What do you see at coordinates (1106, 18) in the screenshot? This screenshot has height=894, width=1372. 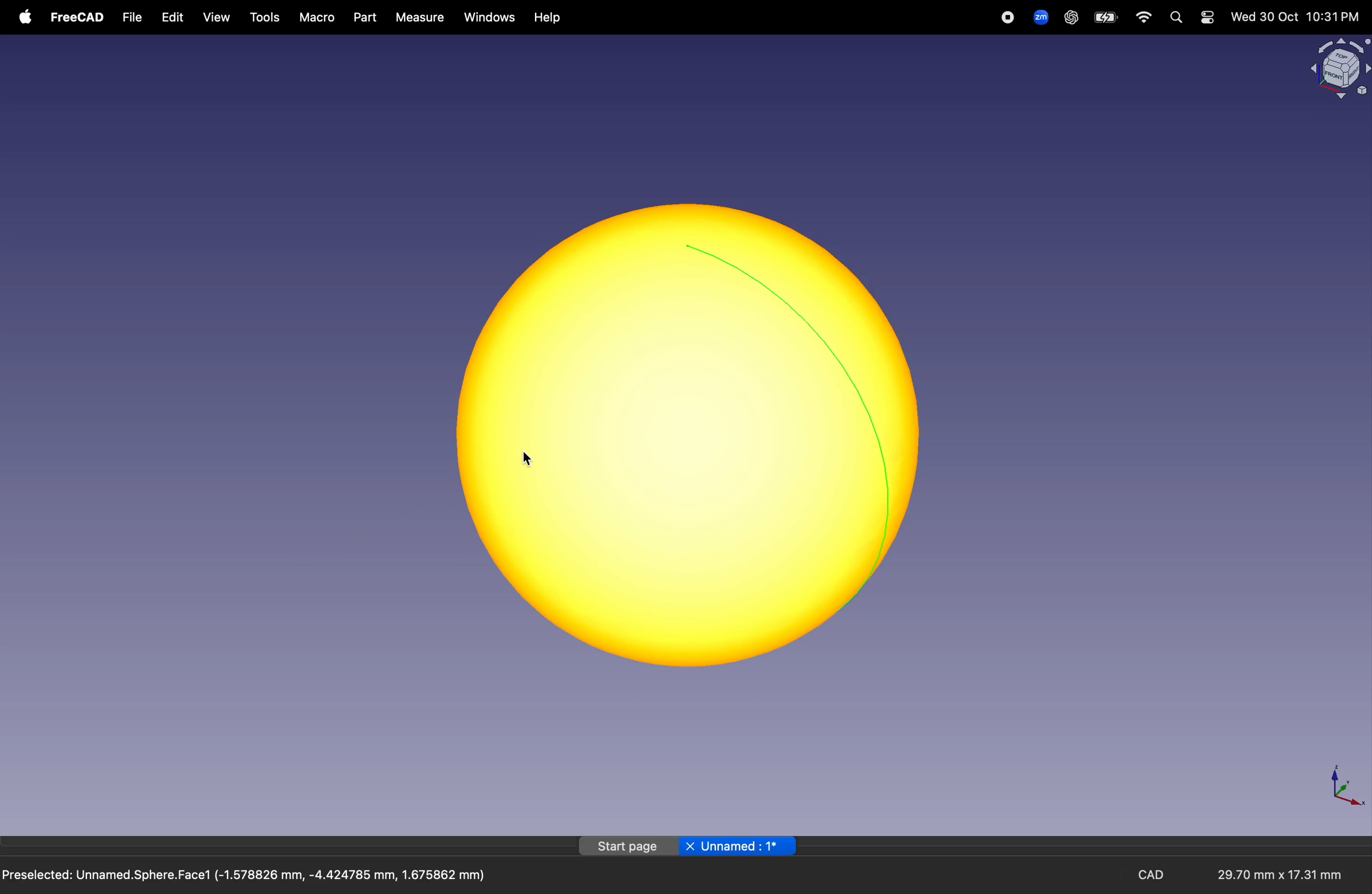 I see `battery` at bounding box center [1106, 18].